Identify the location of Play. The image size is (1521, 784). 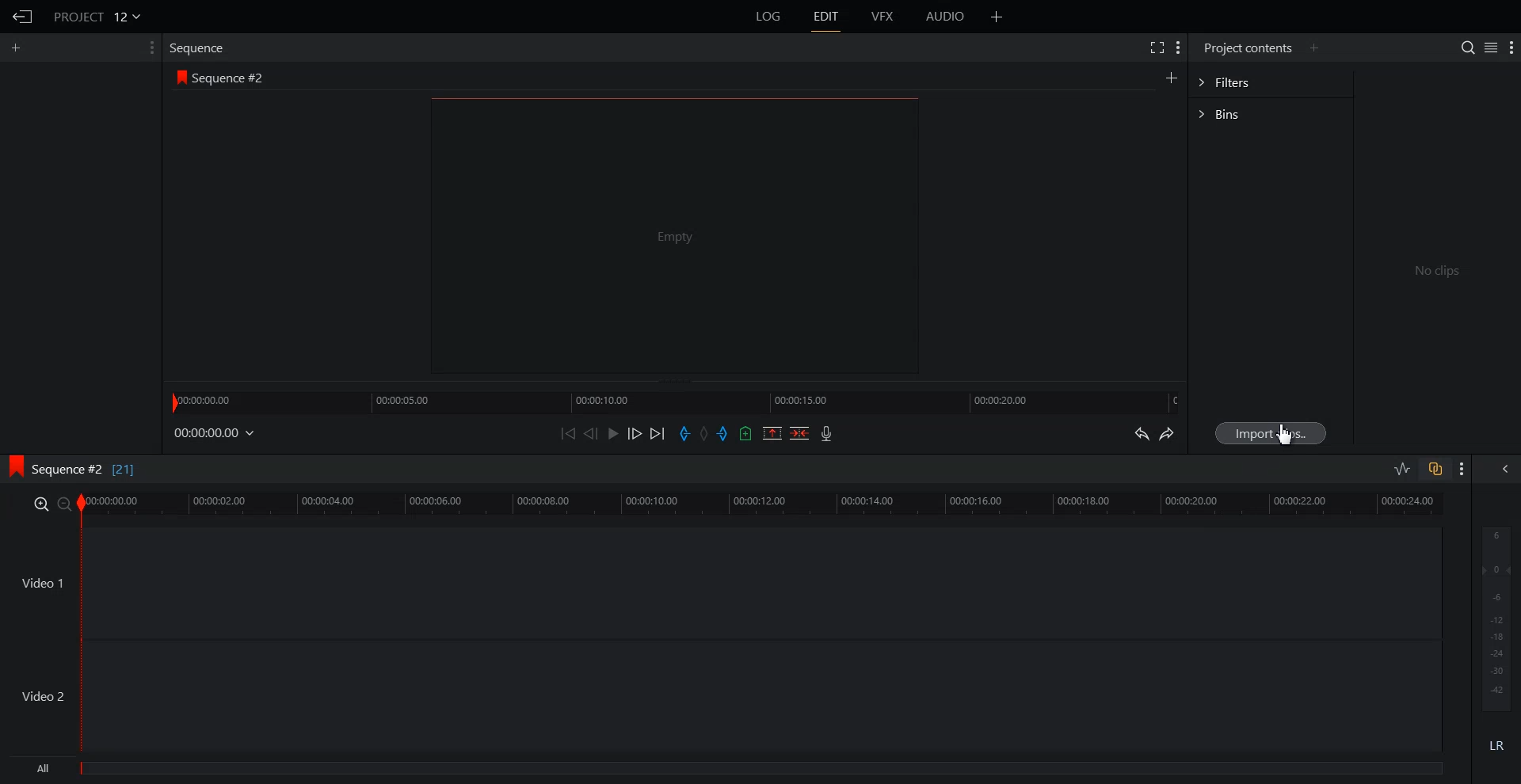
(613, 432).